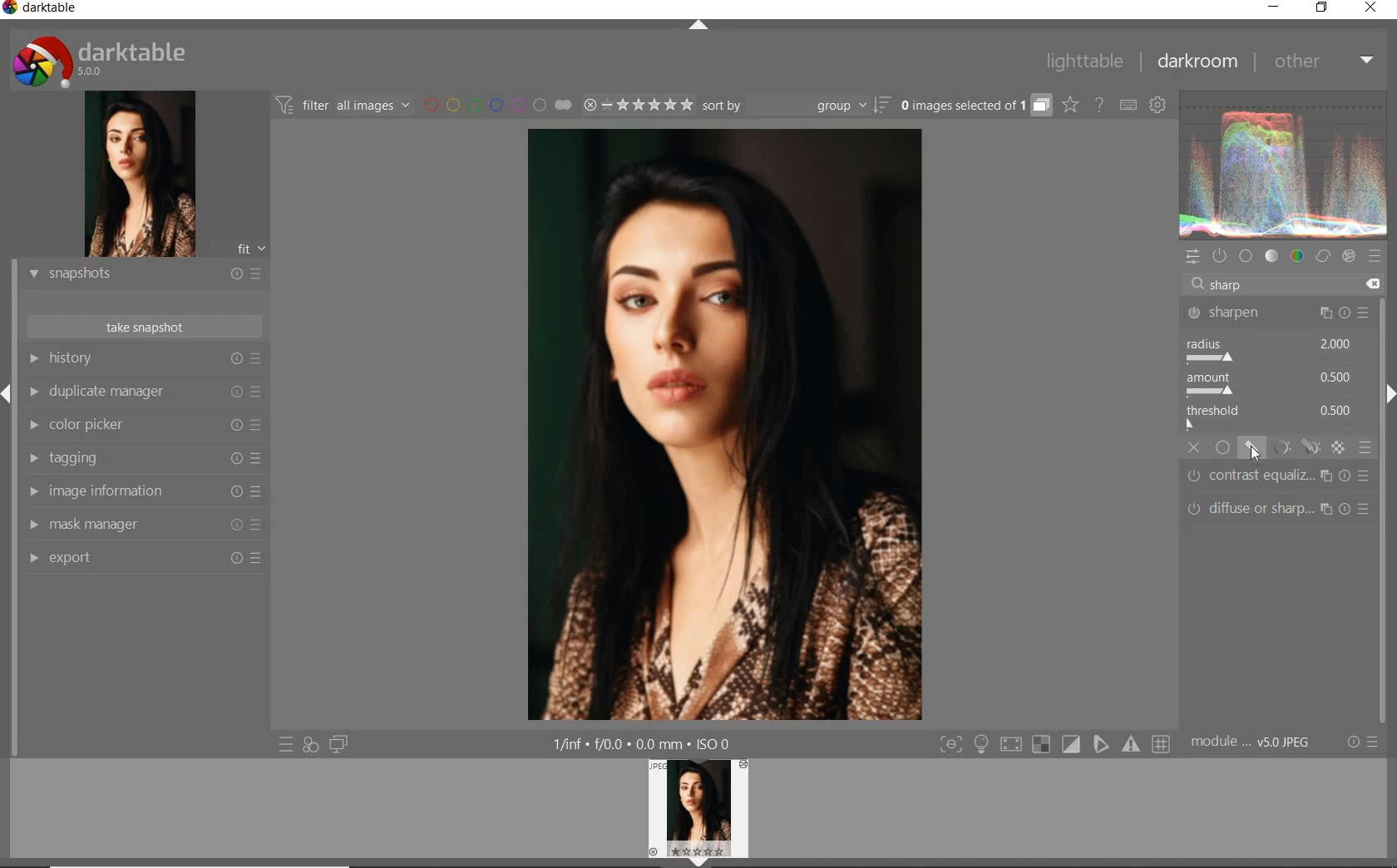 This screenshot has width=1397, height=868. What do you see at coordinates (1196, 448) in the screenshot?
I see `off` at bounding box center [1196, 448].